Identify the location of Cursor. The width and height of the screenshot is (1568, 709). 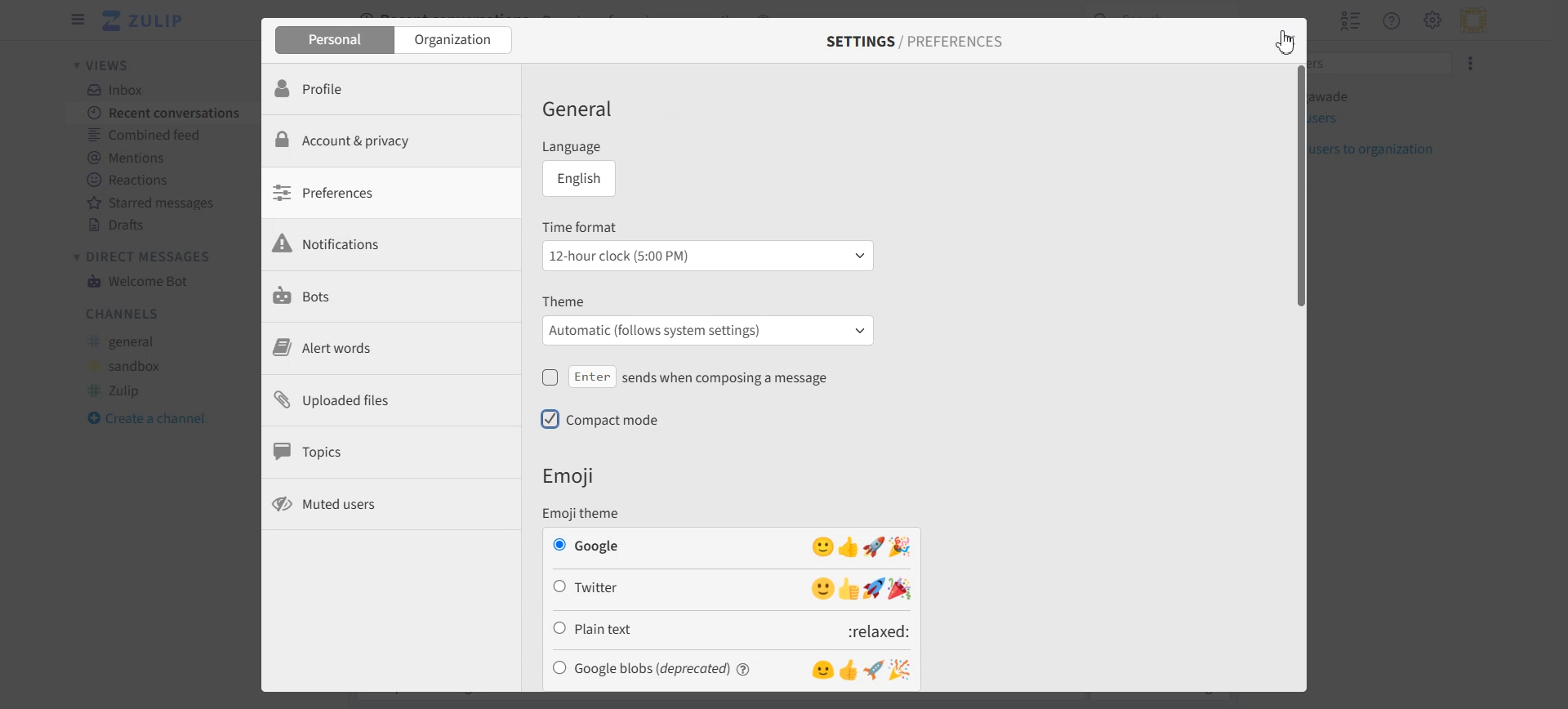
(1281, 45).